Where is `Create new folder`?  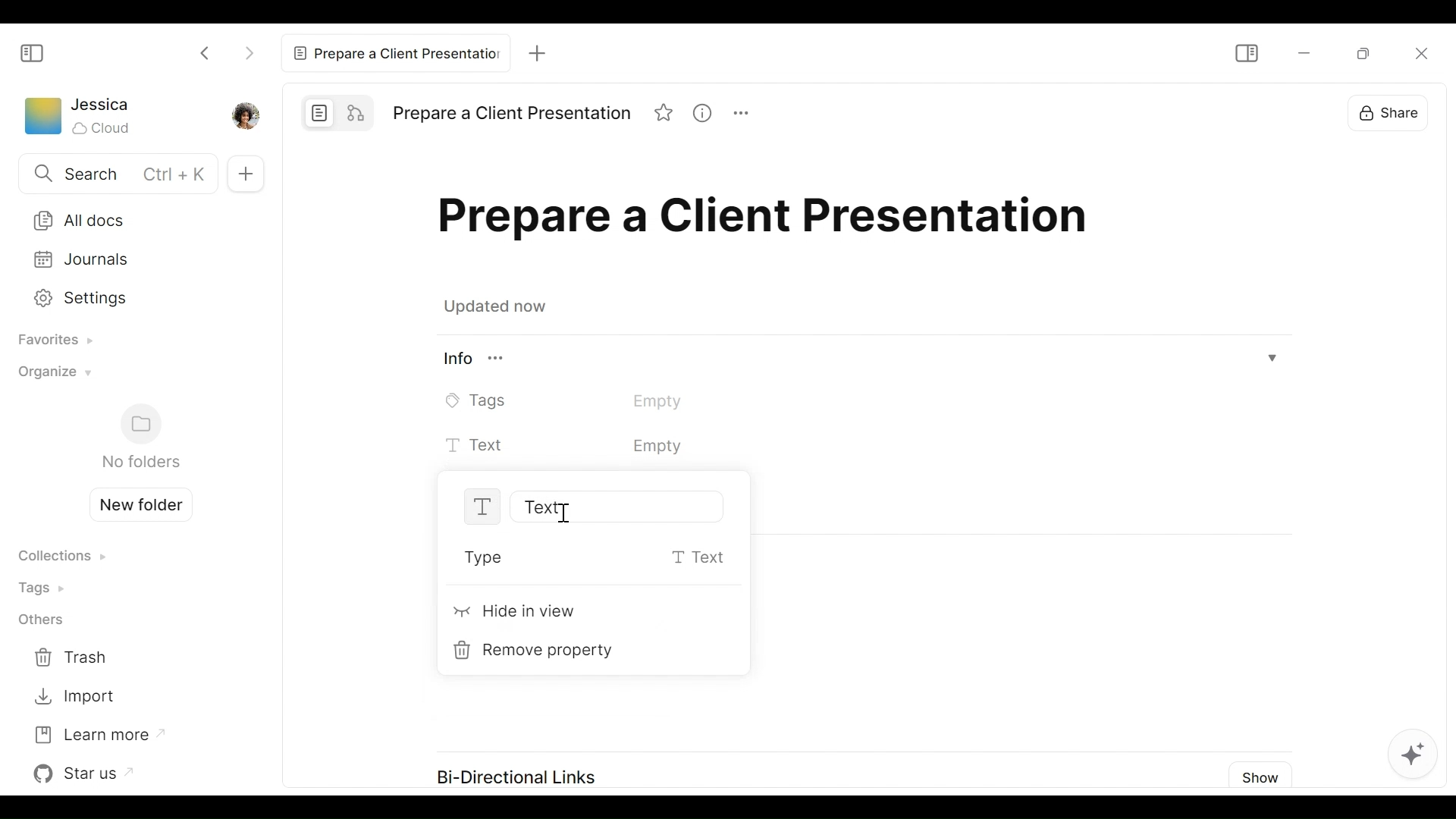 Create new folder is located at coordinates (135, 503).